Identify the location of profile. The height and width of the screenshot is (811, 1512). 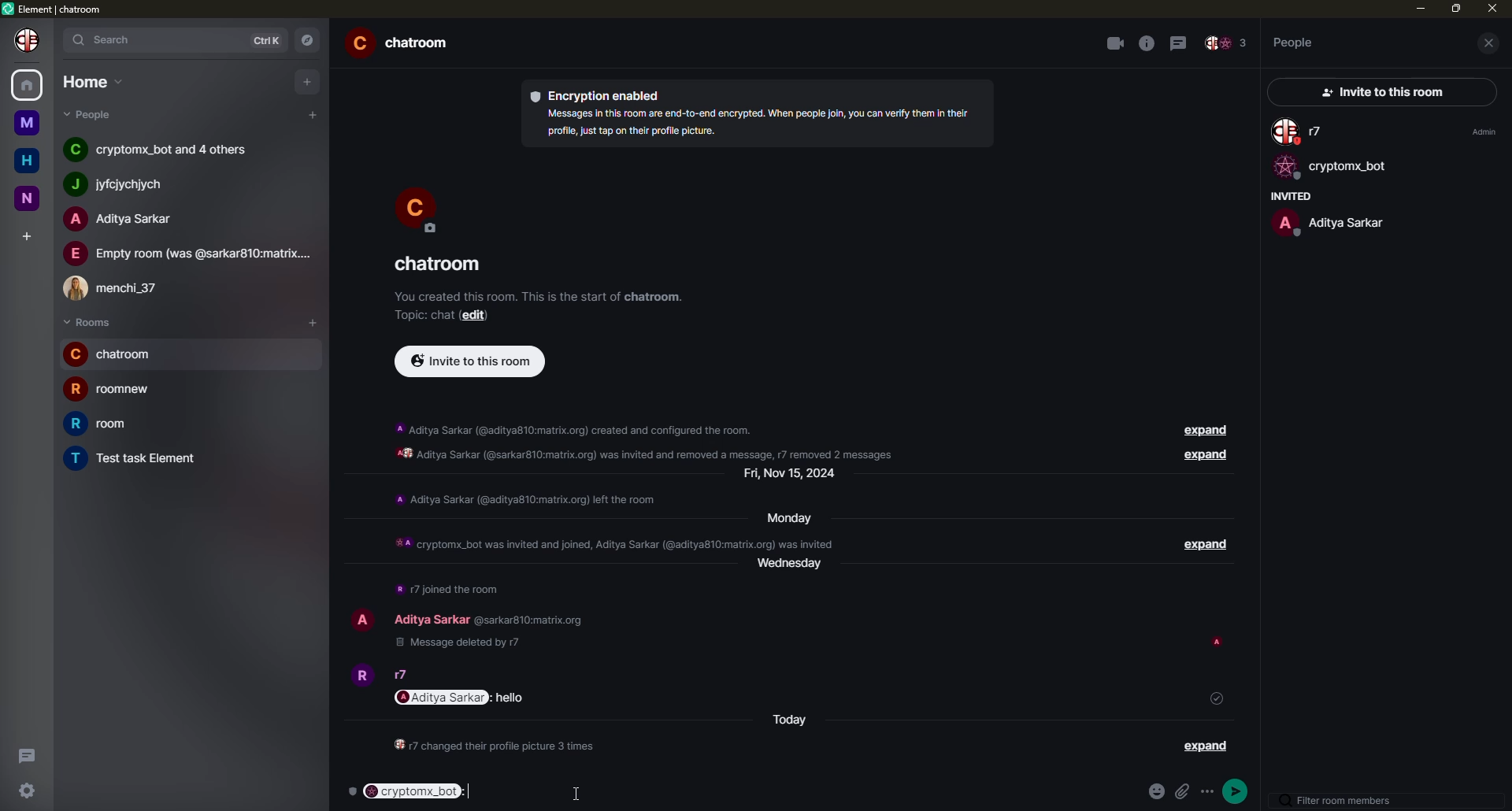
(359, 673).